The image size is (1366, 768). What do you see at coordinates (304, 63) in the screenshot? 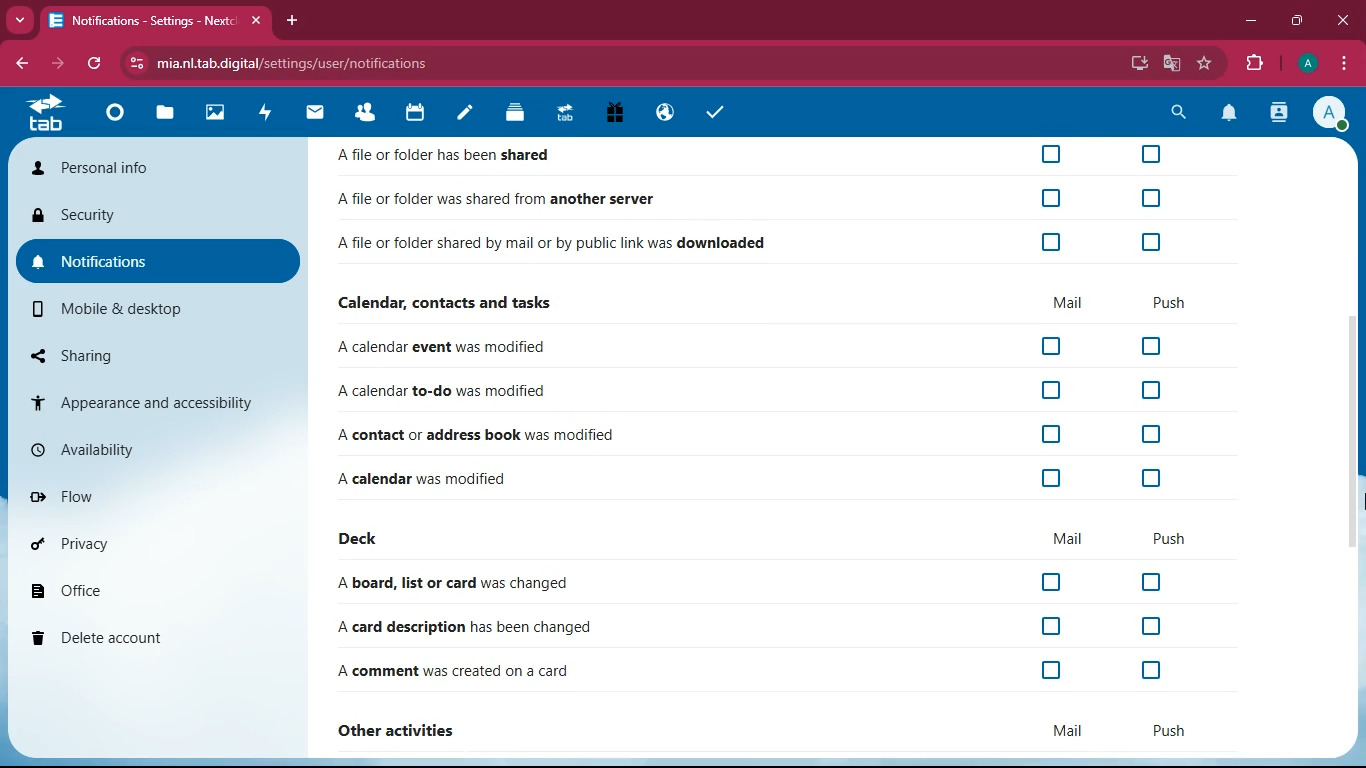
I see `mia.nl.tab.digital/settings/user/notifications` at bounding box center [304, 63].